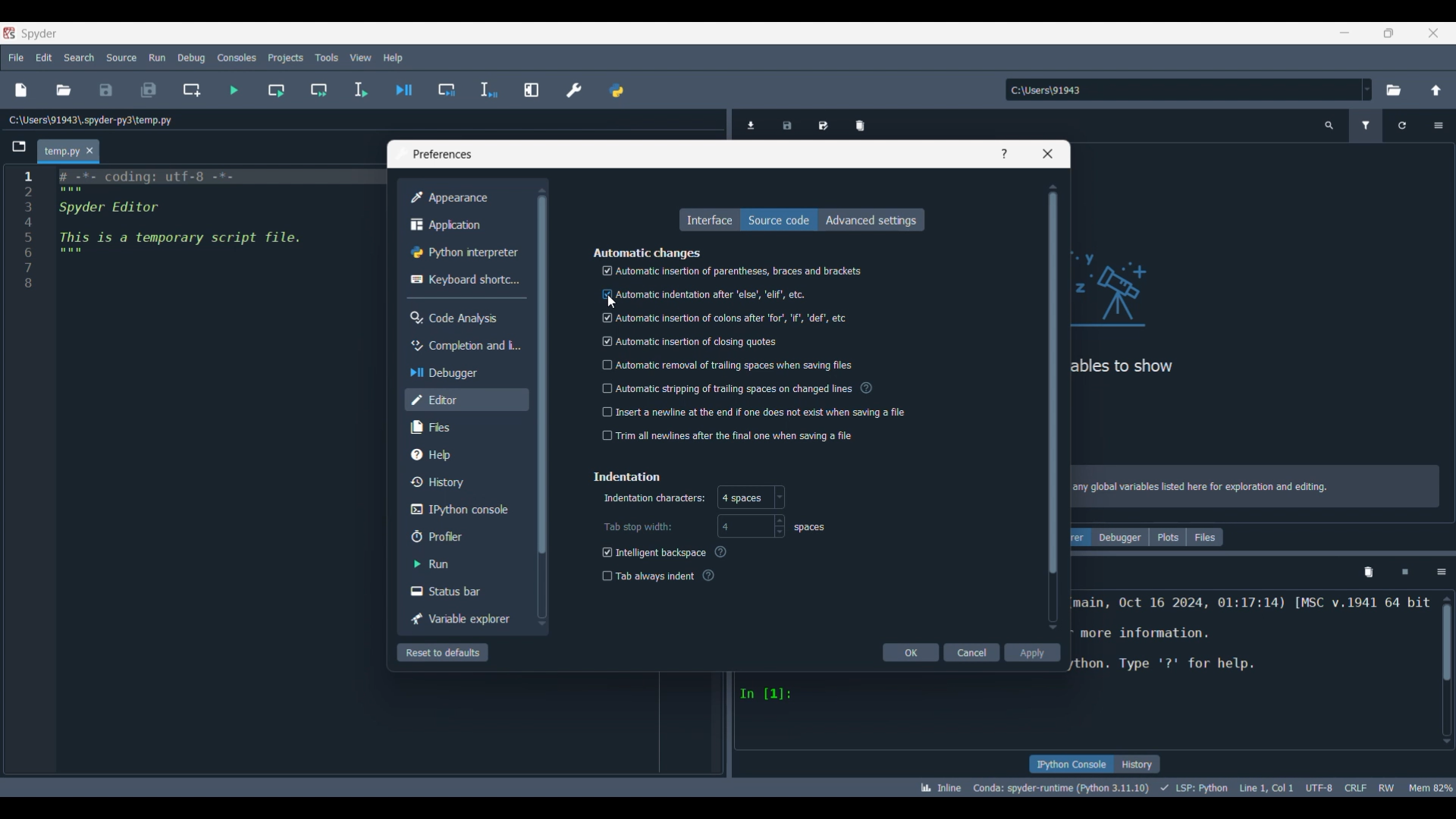 The width and height of the screenshot is (1456, 819). Describe the element at coordinates (639, 527) in the screenshot. I see `Indicates tab stop width options` at that location.